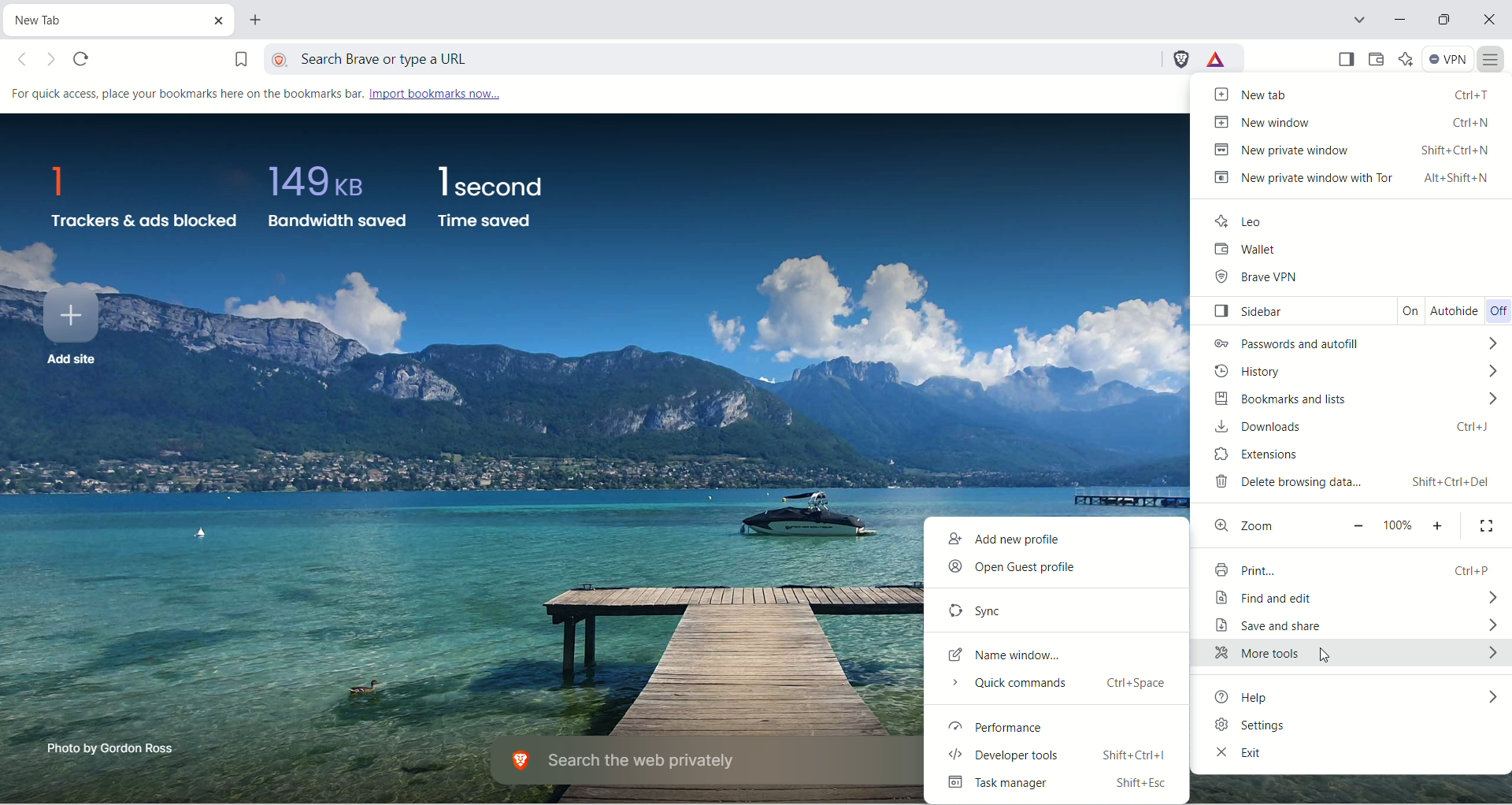  I want to click on rewards, so click(1217, 58).